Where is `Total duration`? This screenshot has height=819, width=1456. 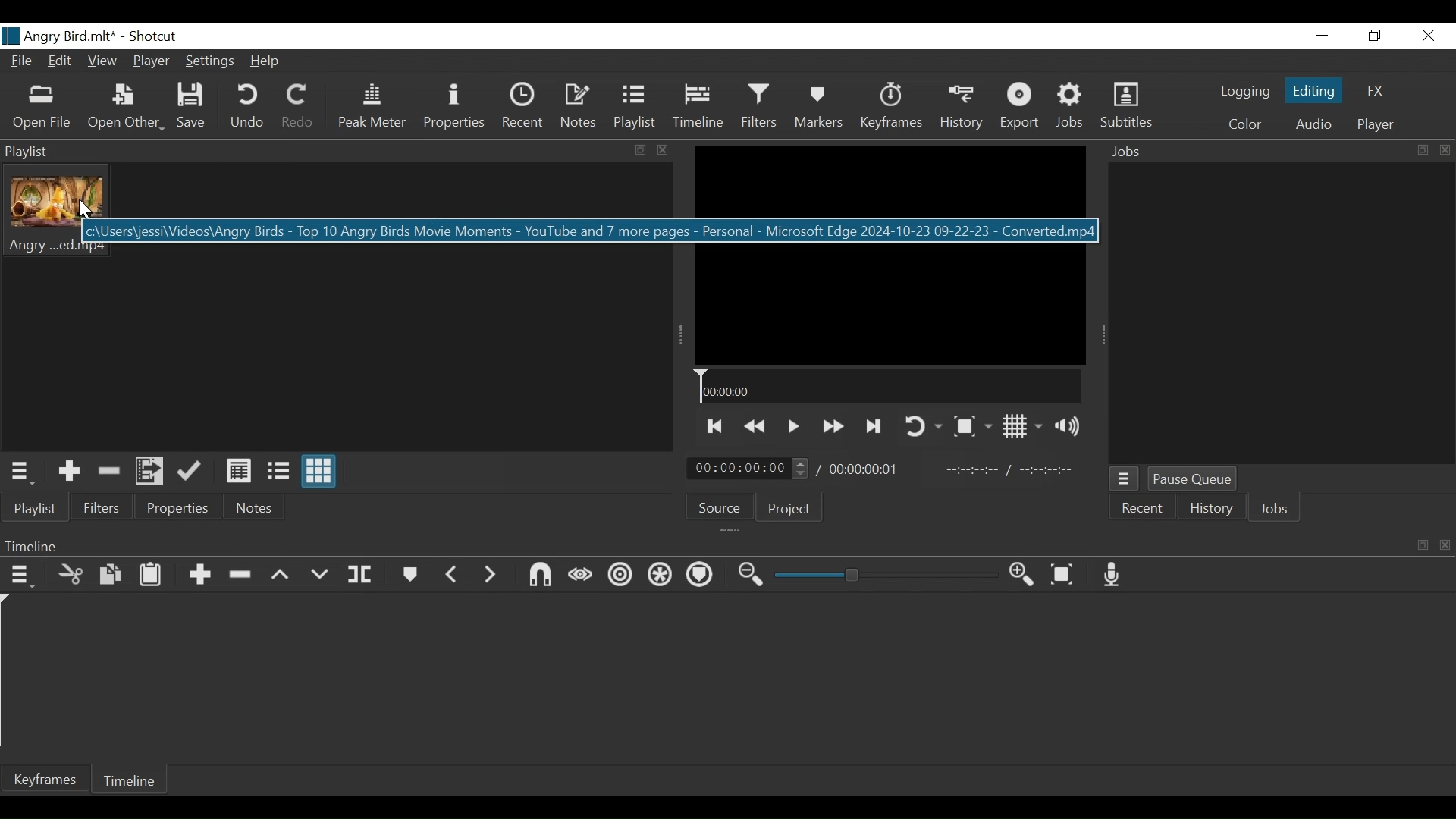 Total duration is located at coordinates (868, 469).